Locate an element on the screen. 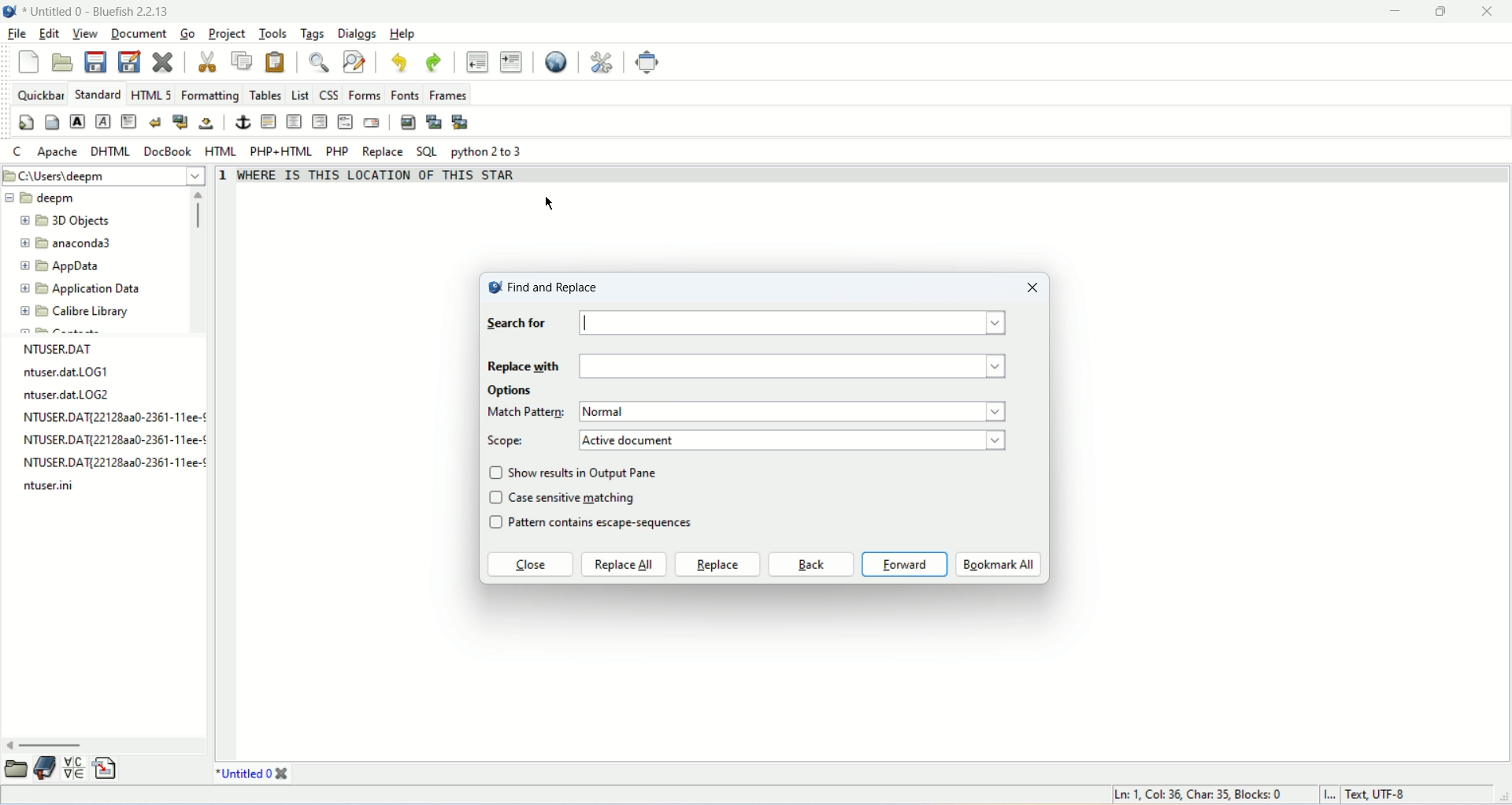 This screenshot has width=1512, height=805. multi thumbnail is located at coordinates (461, 122).